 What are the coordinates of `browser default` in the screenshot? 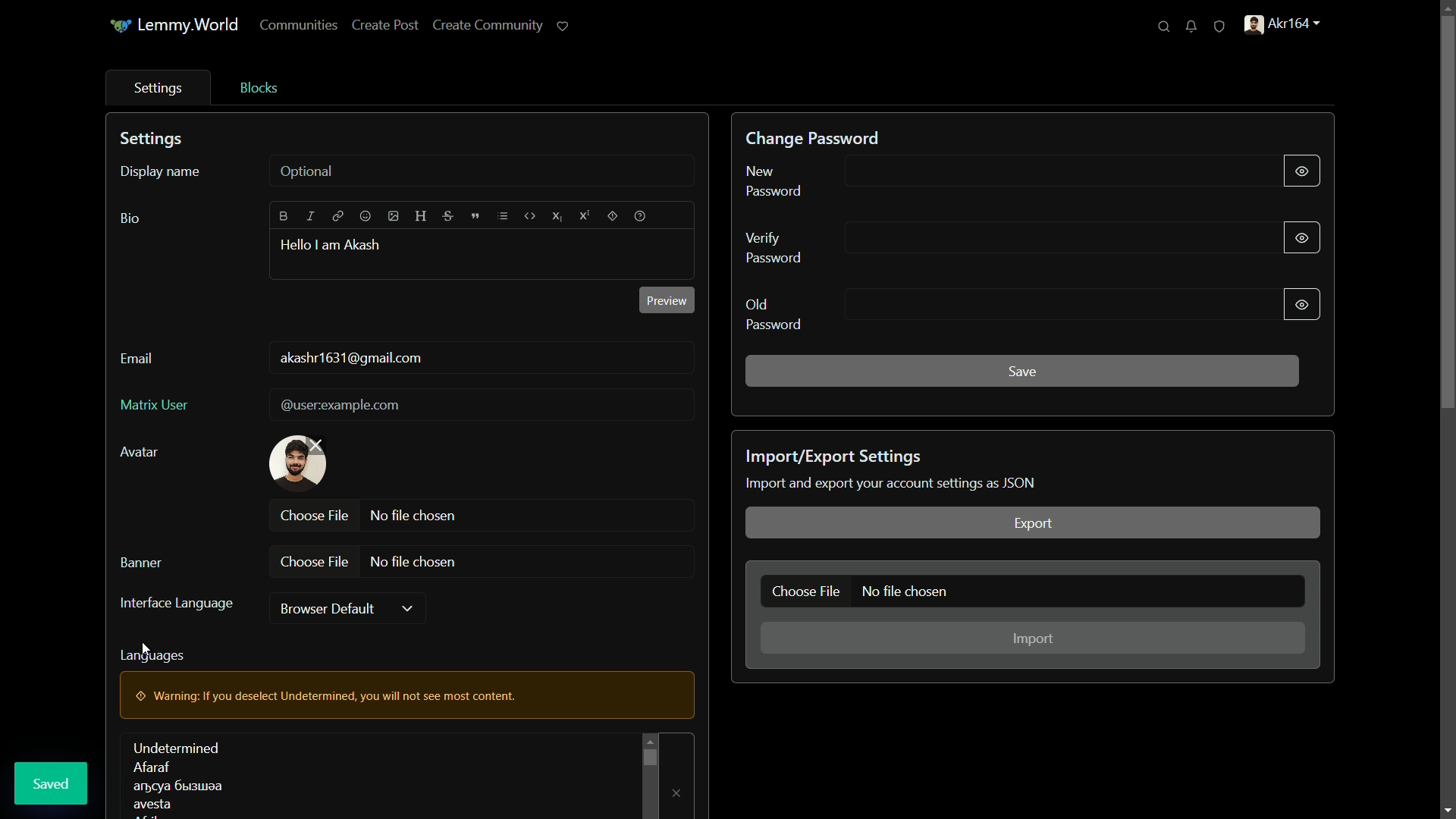 It's located at (325, 608).